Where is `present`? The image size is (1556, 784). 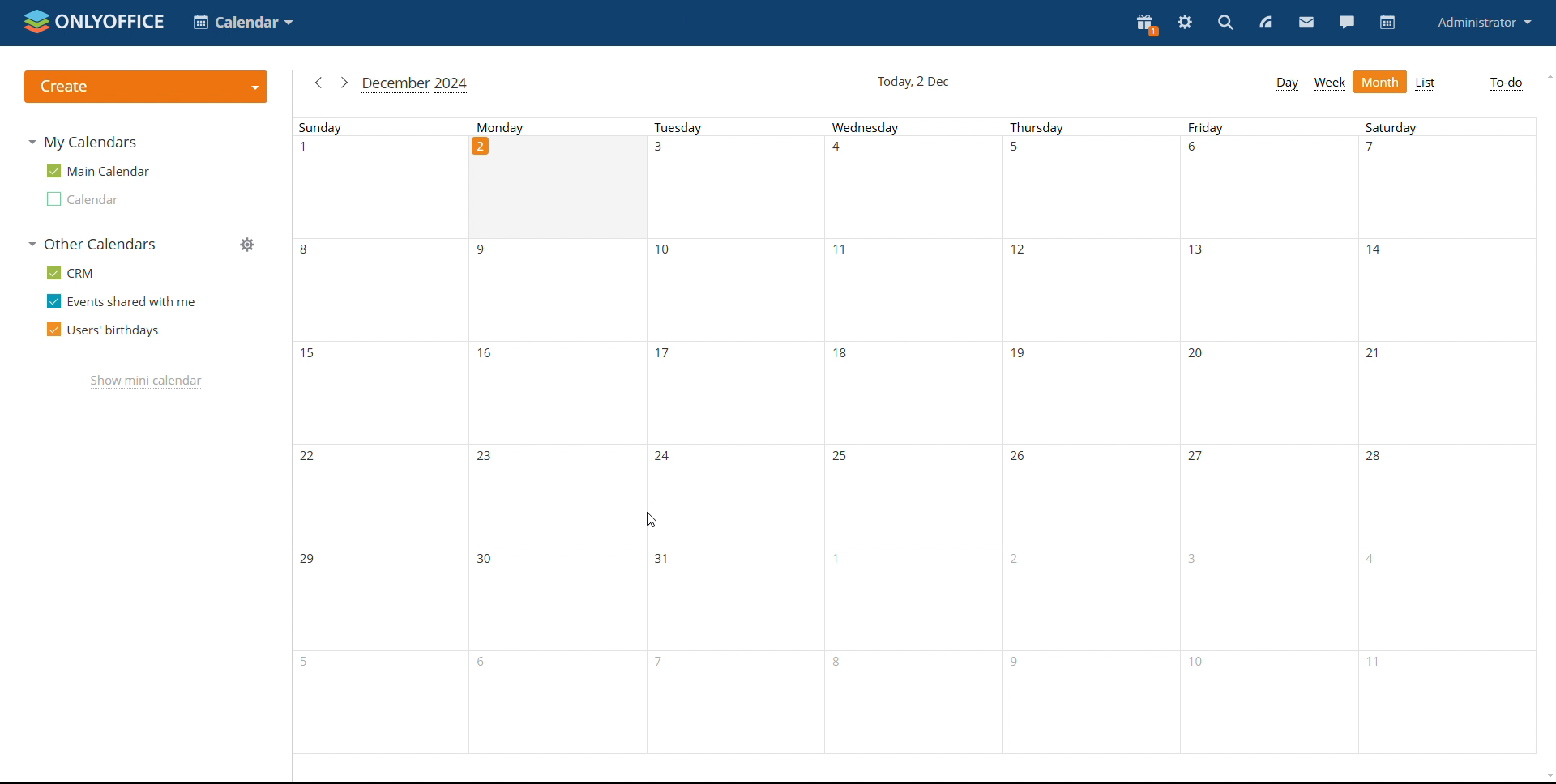 present is located at coordinates (1146, 25).